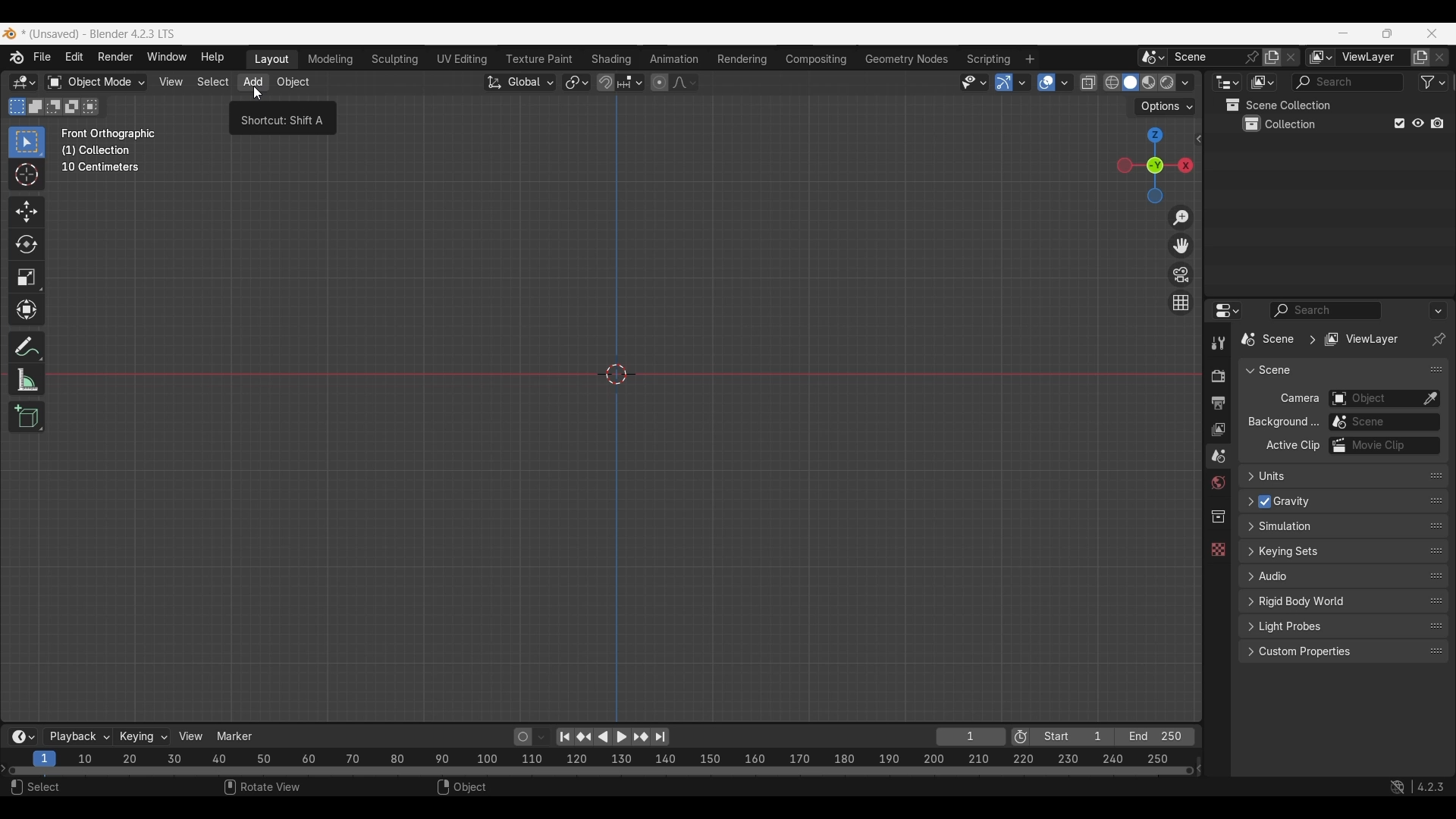 This screenshot has width=1456, height=819. I want to click on Medeling workspace, so click(331, 60).